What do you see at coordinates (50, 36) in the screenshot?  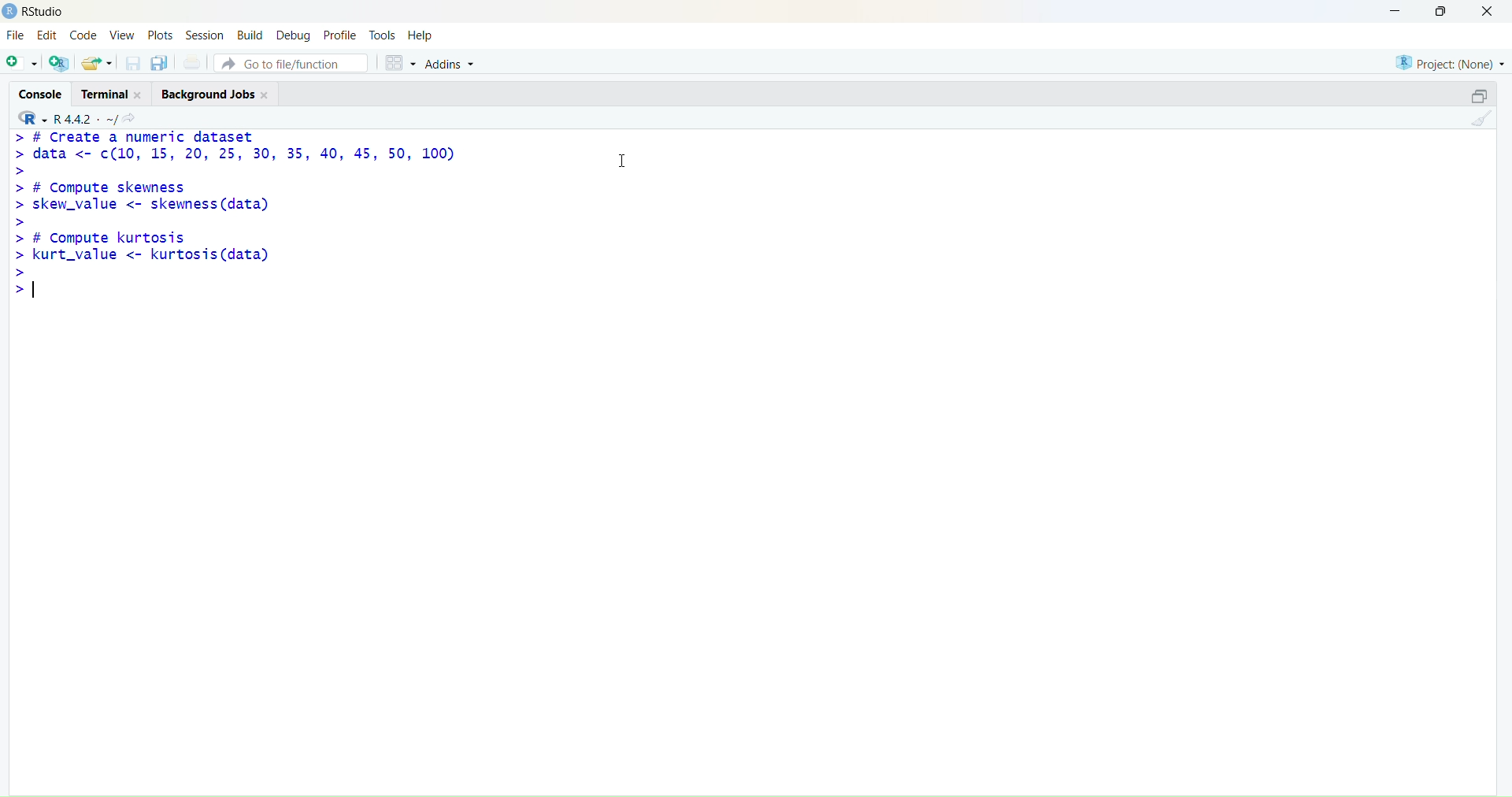 I see `Edit` at bounding box center [50, 36].